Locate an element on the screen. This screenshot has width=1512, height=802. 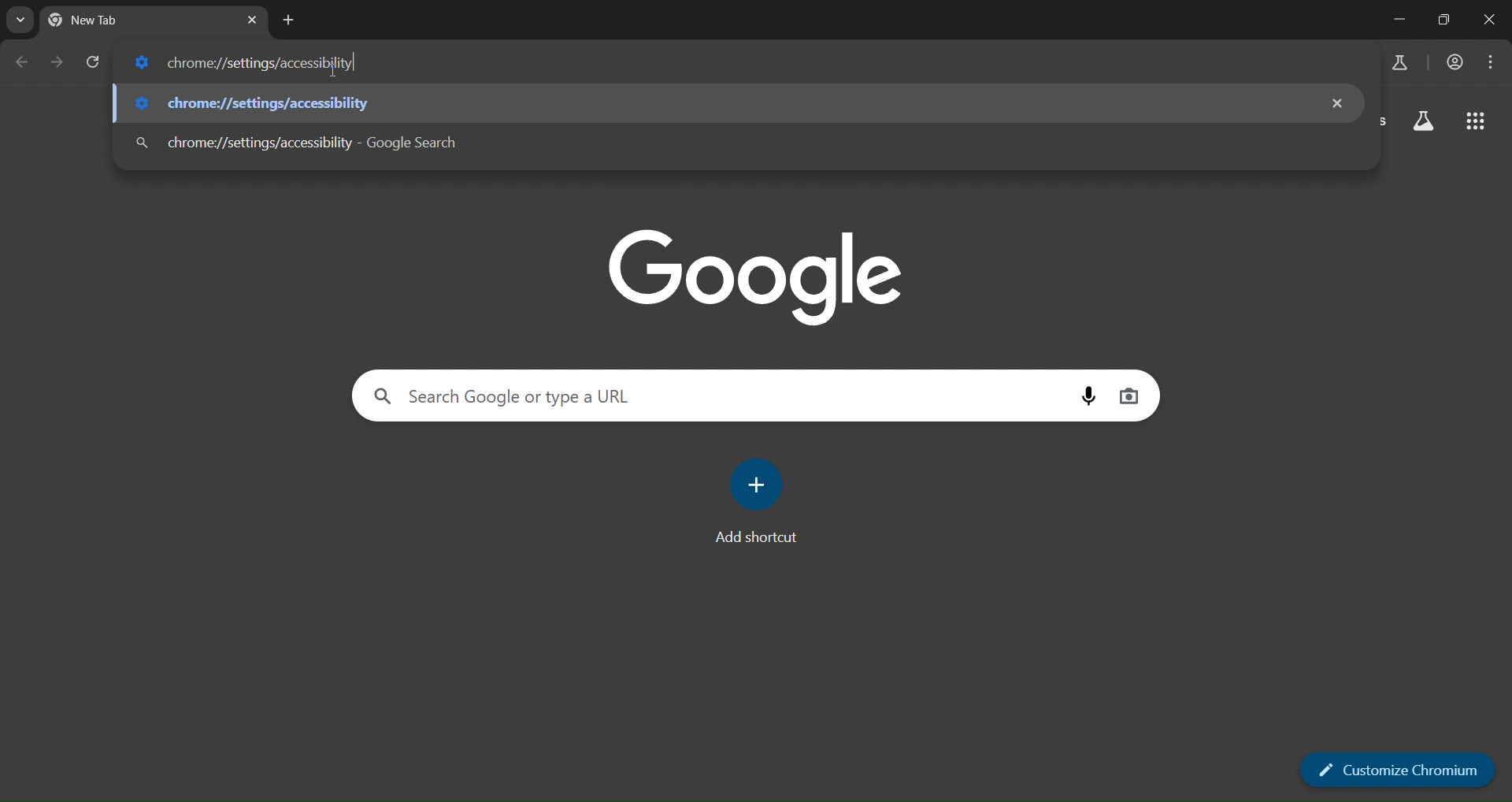
reload pages is located at coordinates (94, 65).